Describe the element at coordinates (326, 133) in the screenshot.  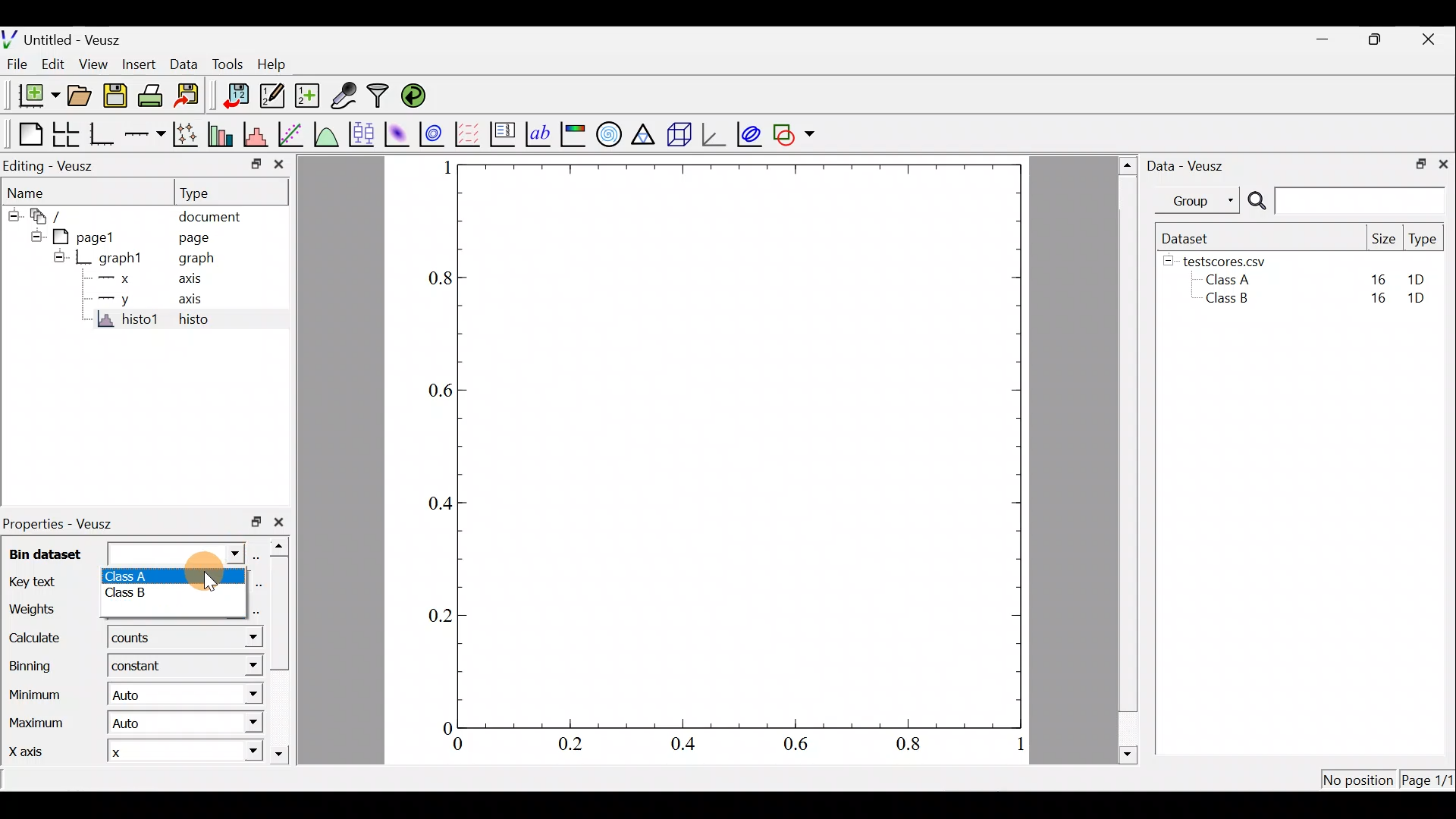
I see `Plot a function` at that location.